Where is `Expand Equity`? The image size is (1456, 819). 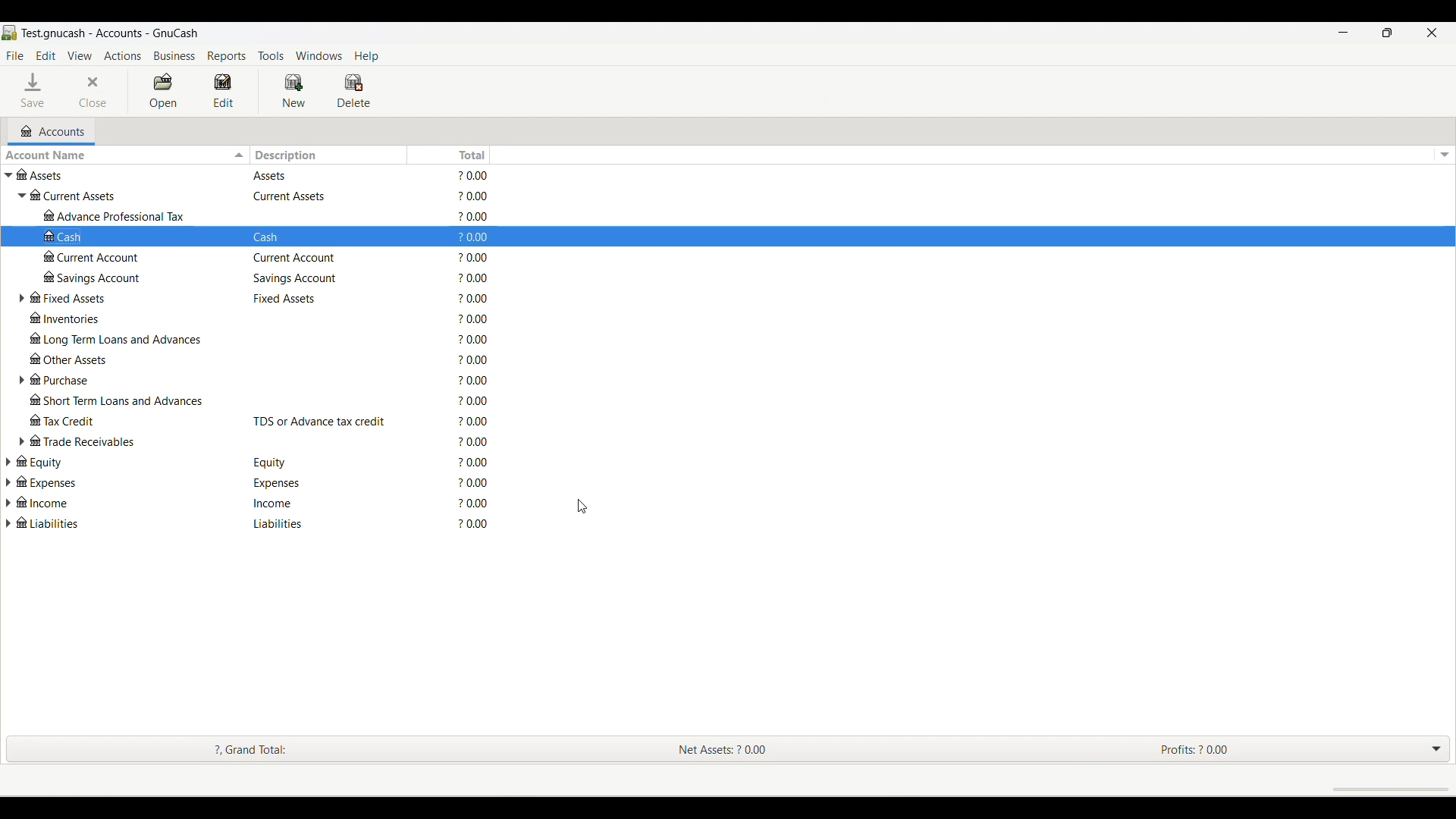
Expand Equity is located at coordinates (8, 463).